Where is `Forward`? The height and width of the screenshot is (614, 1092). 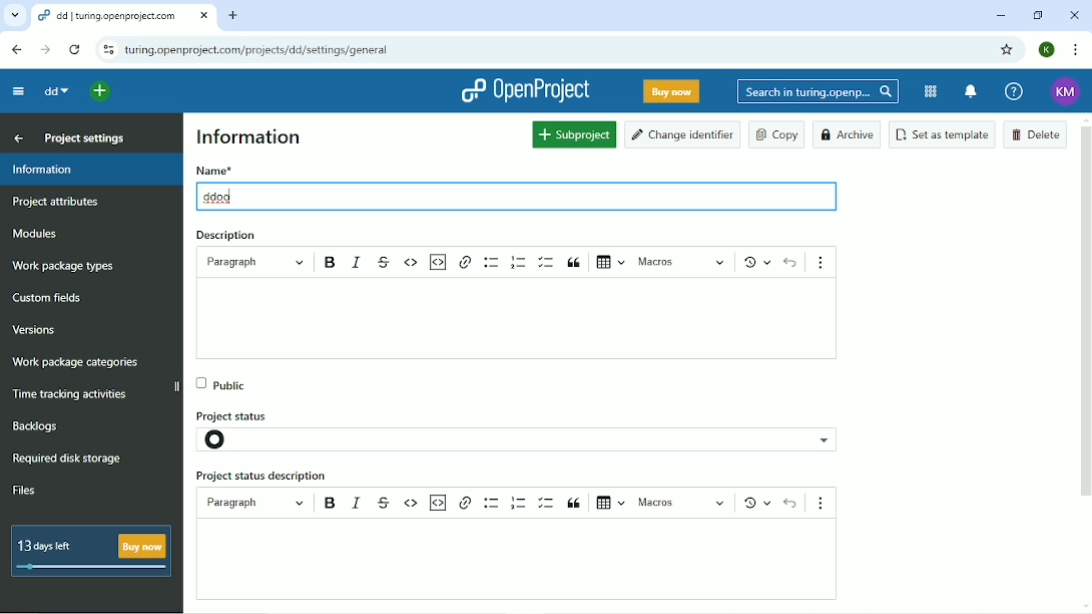 Forward is located at coordinates (45, 51).